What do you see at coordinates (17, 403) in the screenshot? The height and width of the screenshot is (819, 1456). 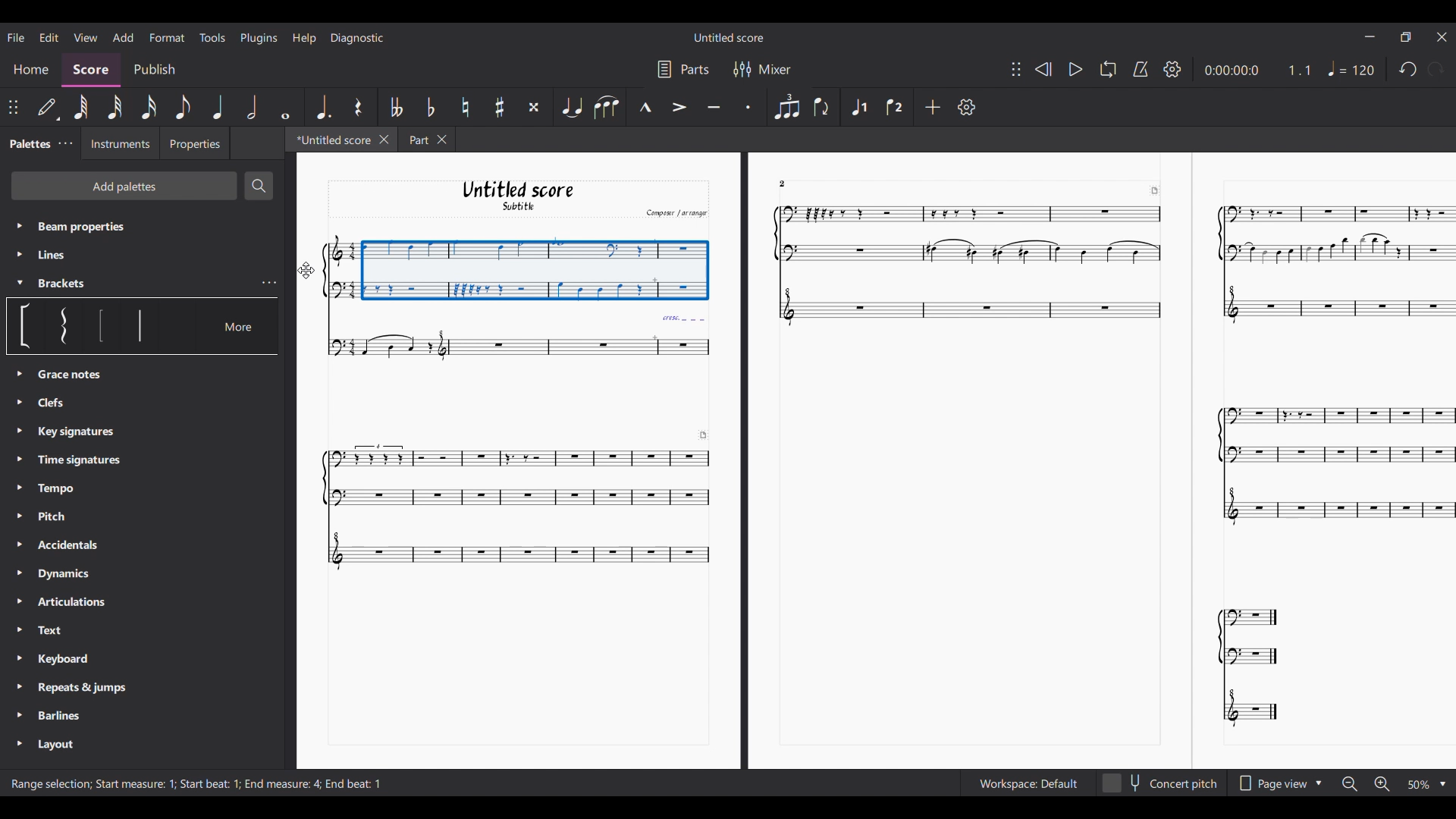 I see `` at bounding box center [17, 403].